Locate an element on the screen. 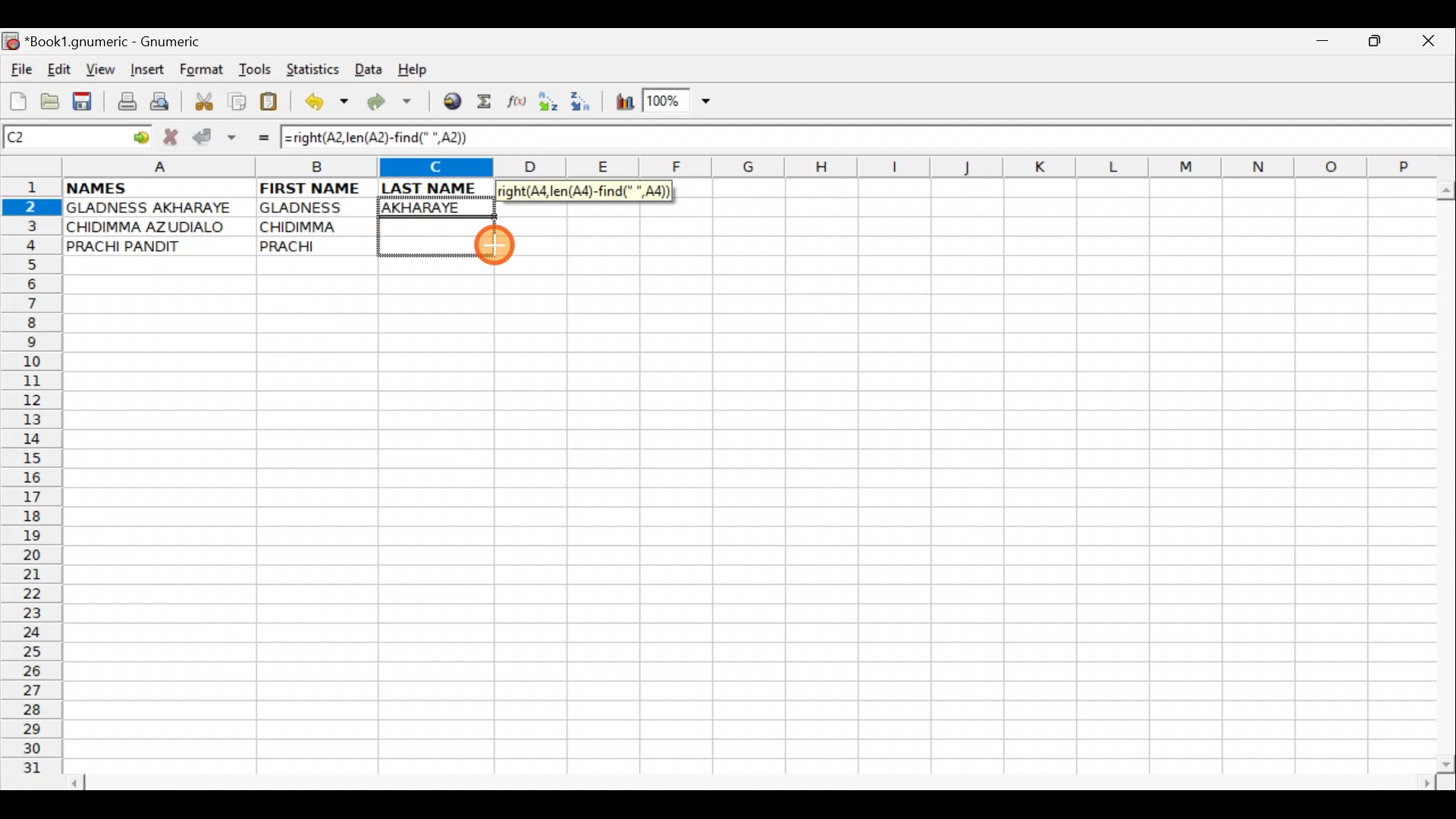 The image size is (1456, 819). Cursor on cell C5 is located at coordinates (495, 246).